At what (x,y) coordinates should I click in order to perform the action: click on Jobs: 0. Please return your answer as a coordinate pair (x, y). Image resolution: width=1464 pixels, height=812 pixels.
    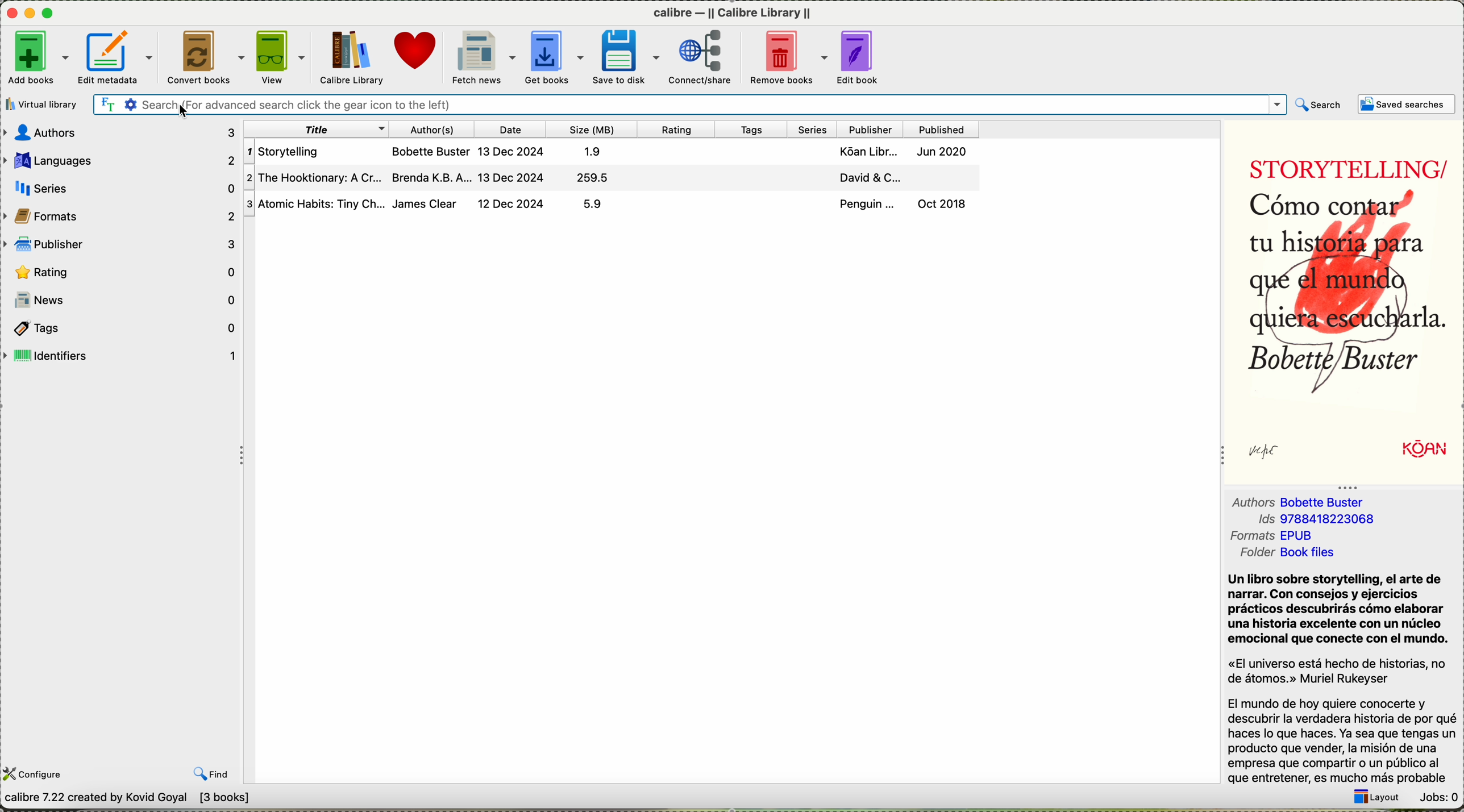
    Looking at the image, I should click on (1437, 797).